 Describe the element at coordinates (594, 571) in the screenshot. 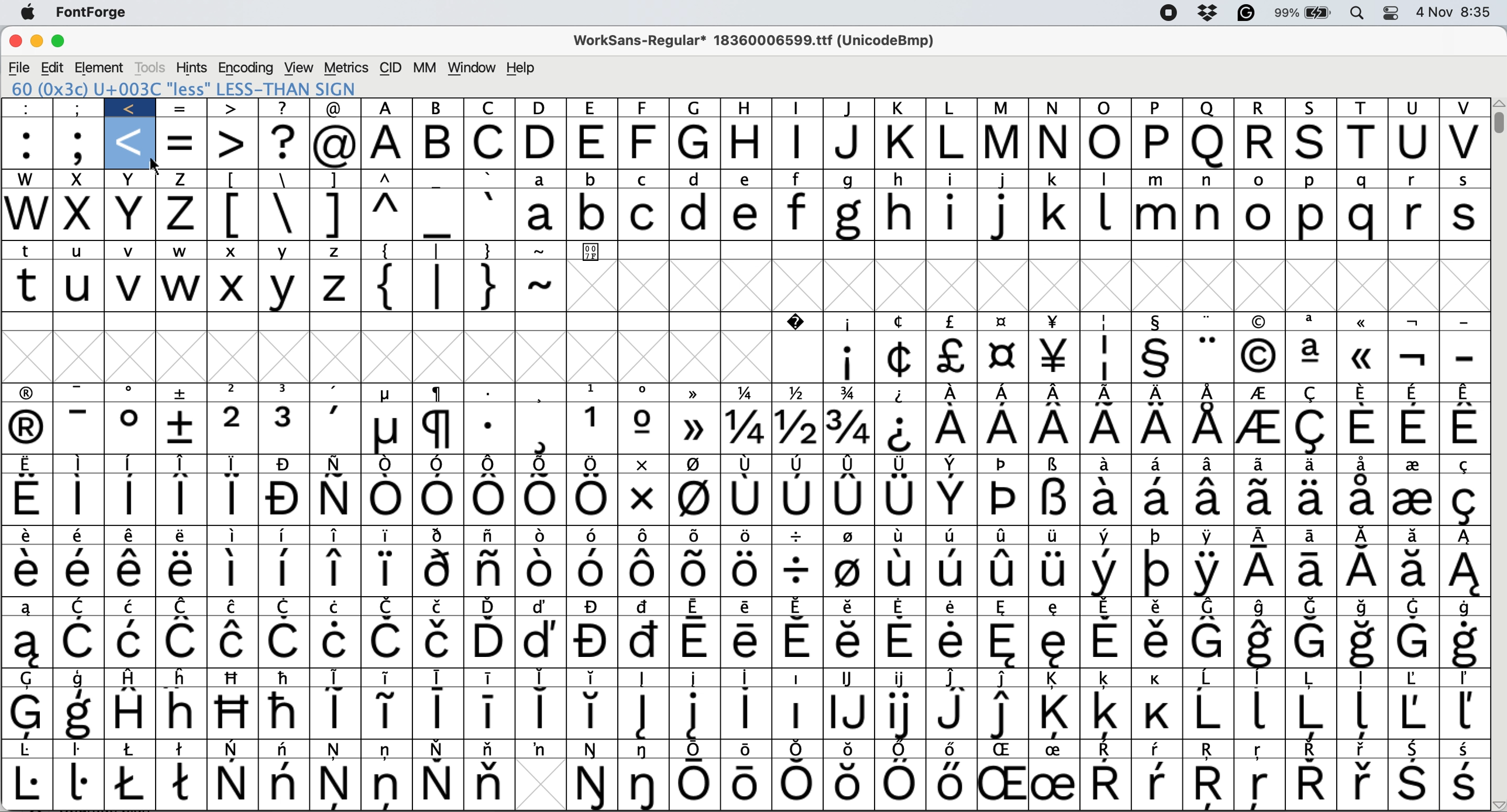

I see `Symbol` at that location.